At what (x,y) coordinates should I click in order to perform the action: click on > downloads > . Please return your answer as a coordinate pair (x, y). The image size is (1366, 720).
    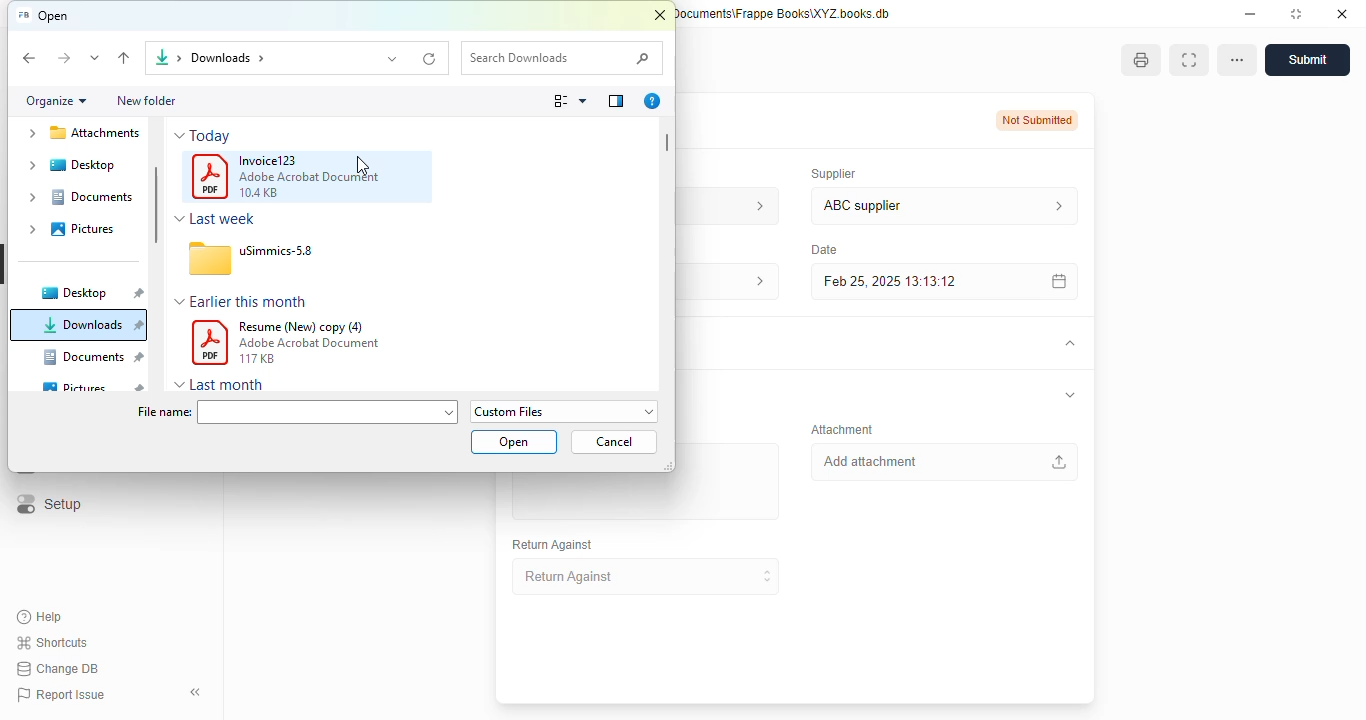
    Looking at the image, I should click on (224, 58).